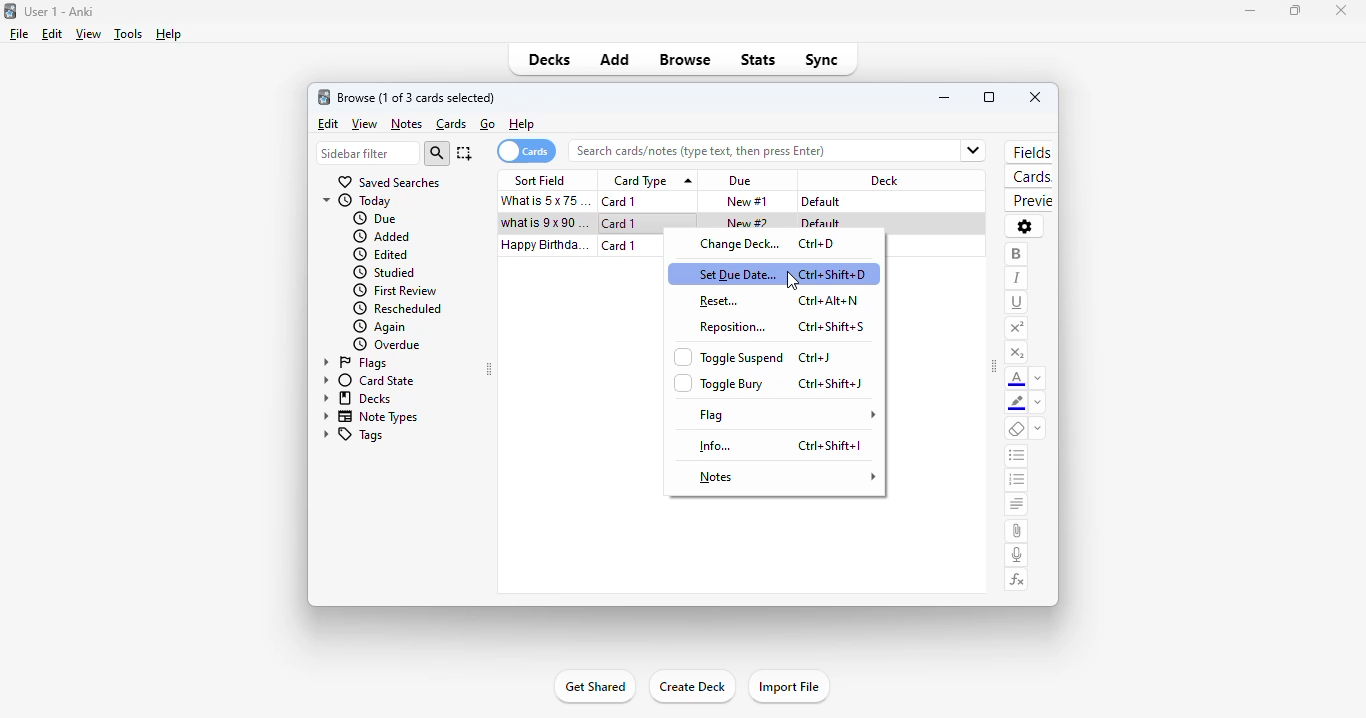 The image size is (1366, 718). I want to click on rescheduled, so click(398, 309).